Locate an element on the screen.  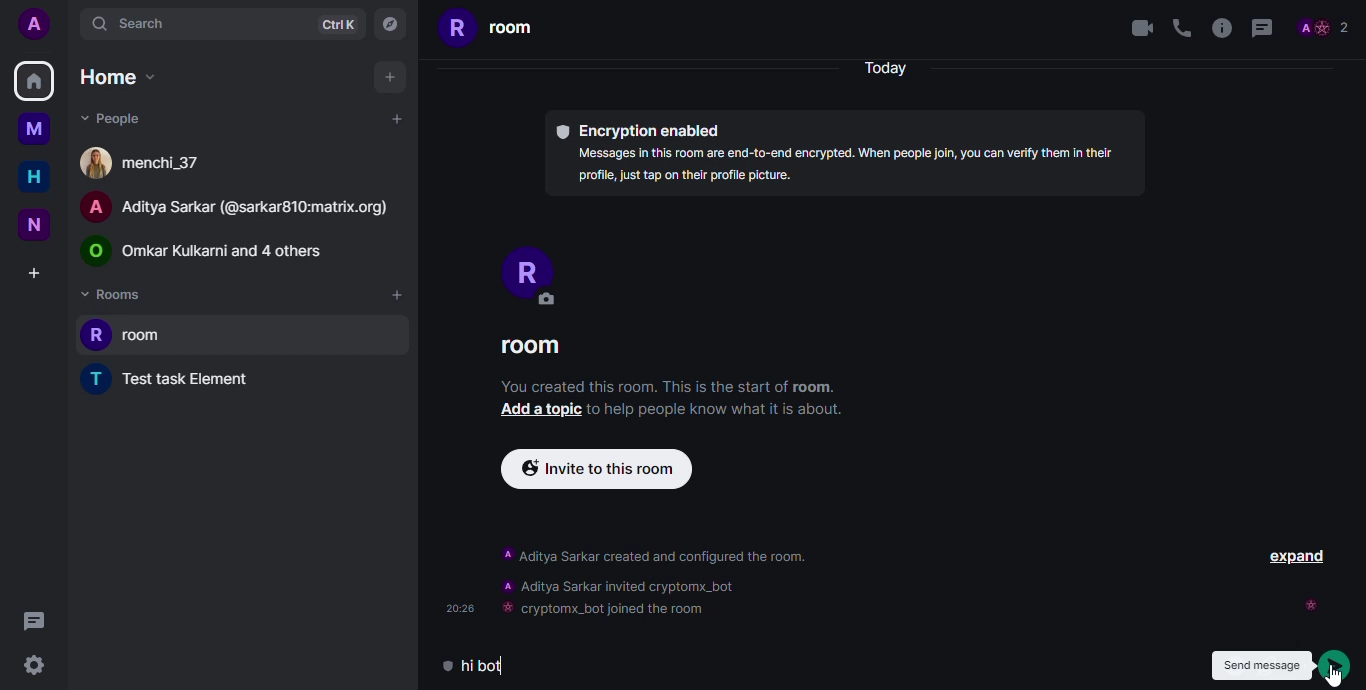
navigator is located at coordinates (389, 24).